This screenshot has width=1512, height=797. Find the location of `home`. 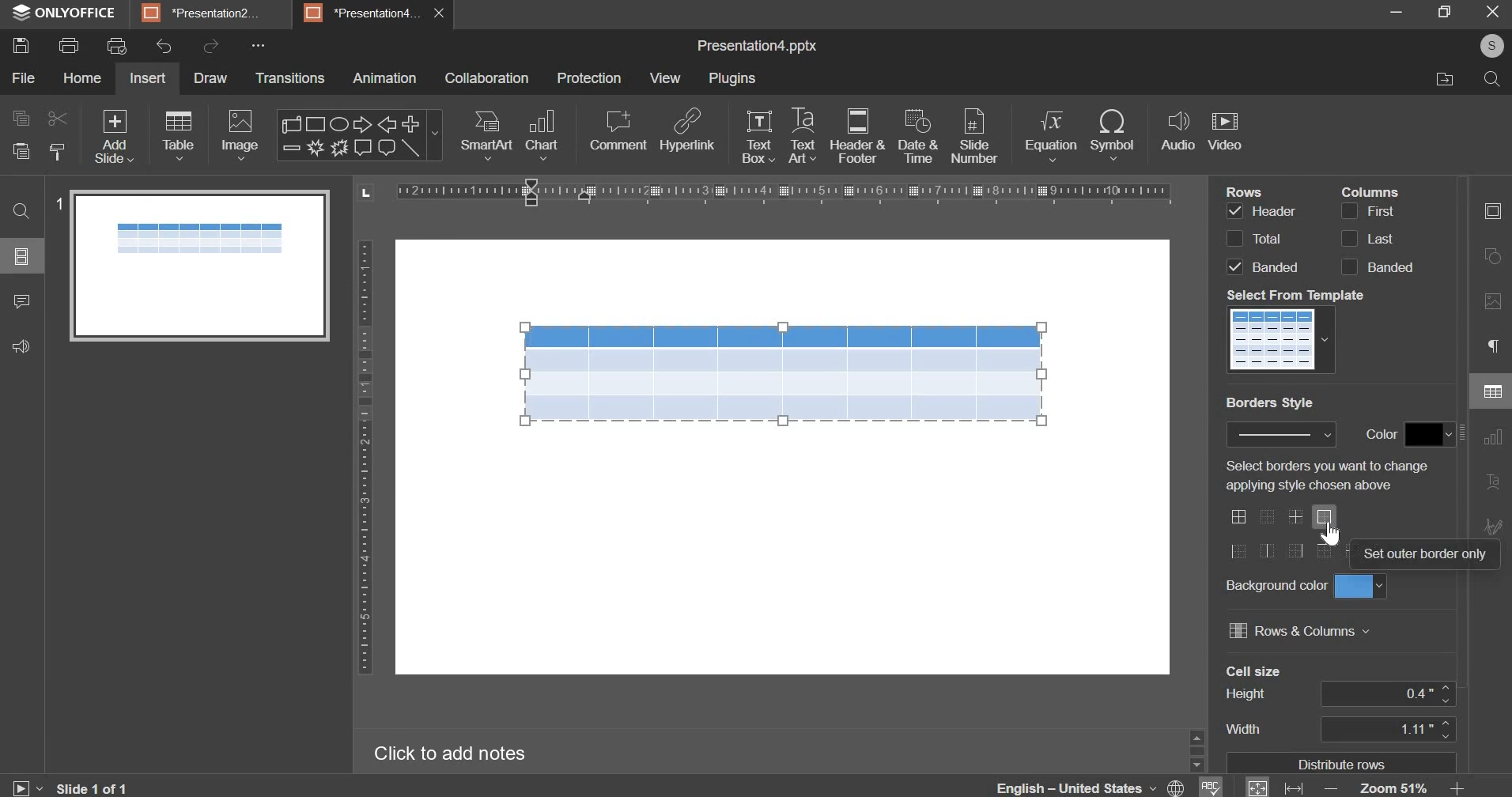

home is located at coordinates (83, 77).